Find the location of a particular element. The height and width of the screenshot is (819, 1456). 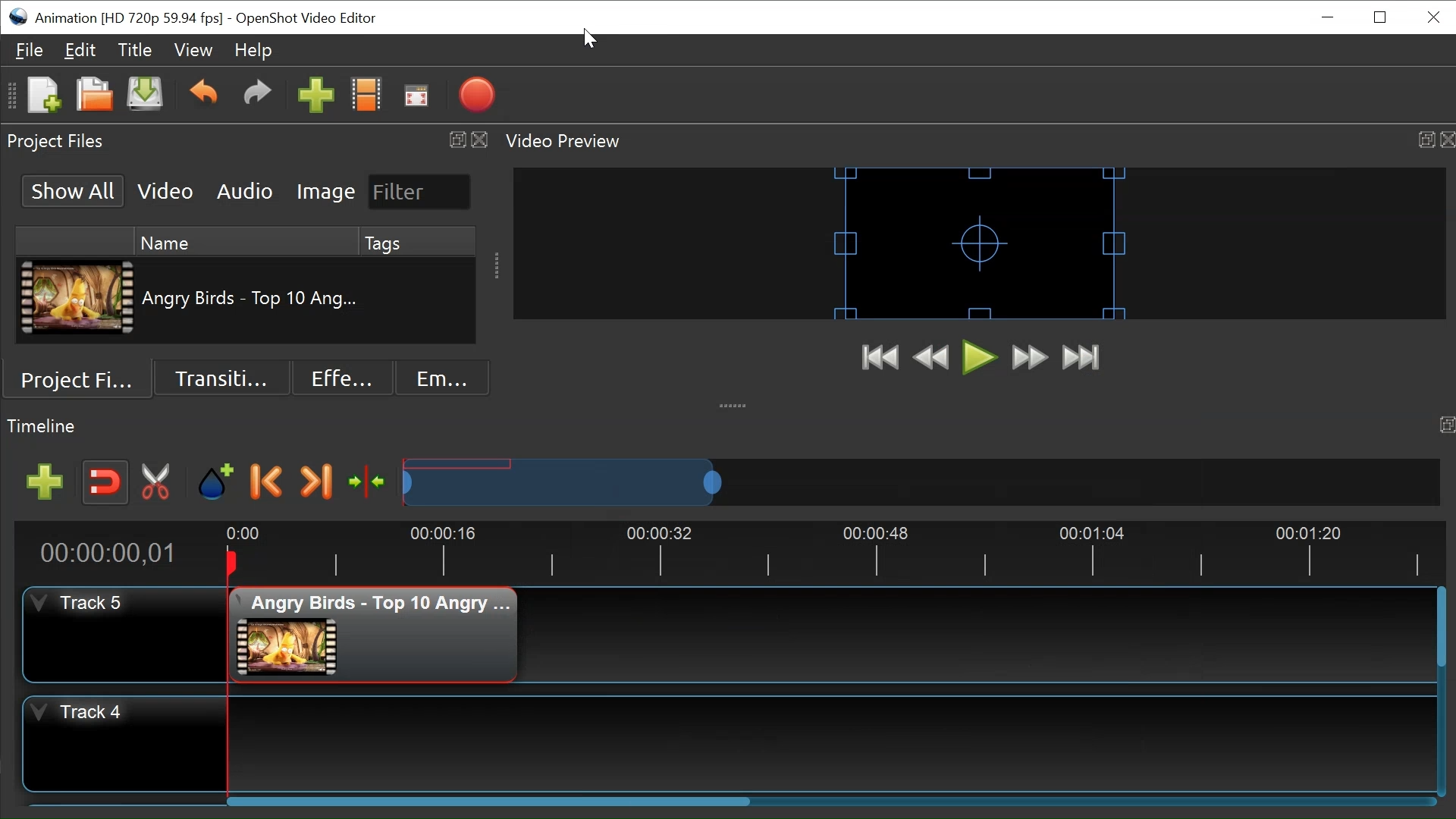

Horizontal Scroll bar is located at coordinates (494, 802).